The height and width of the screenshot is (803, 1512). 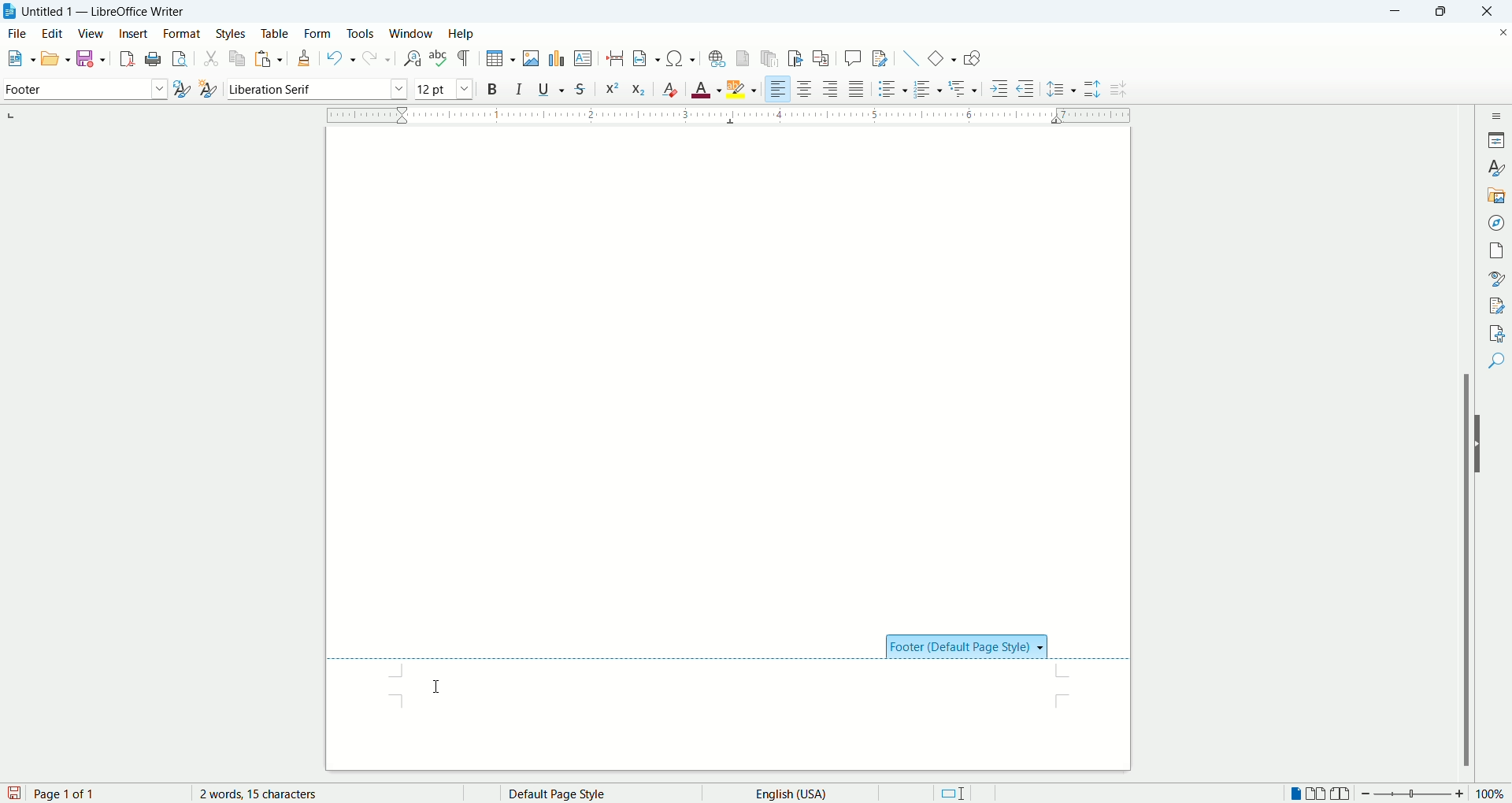 What do you see at coordinates (211, 60) in the screenshot?
I see `cut` at bounding box center [211, 60].